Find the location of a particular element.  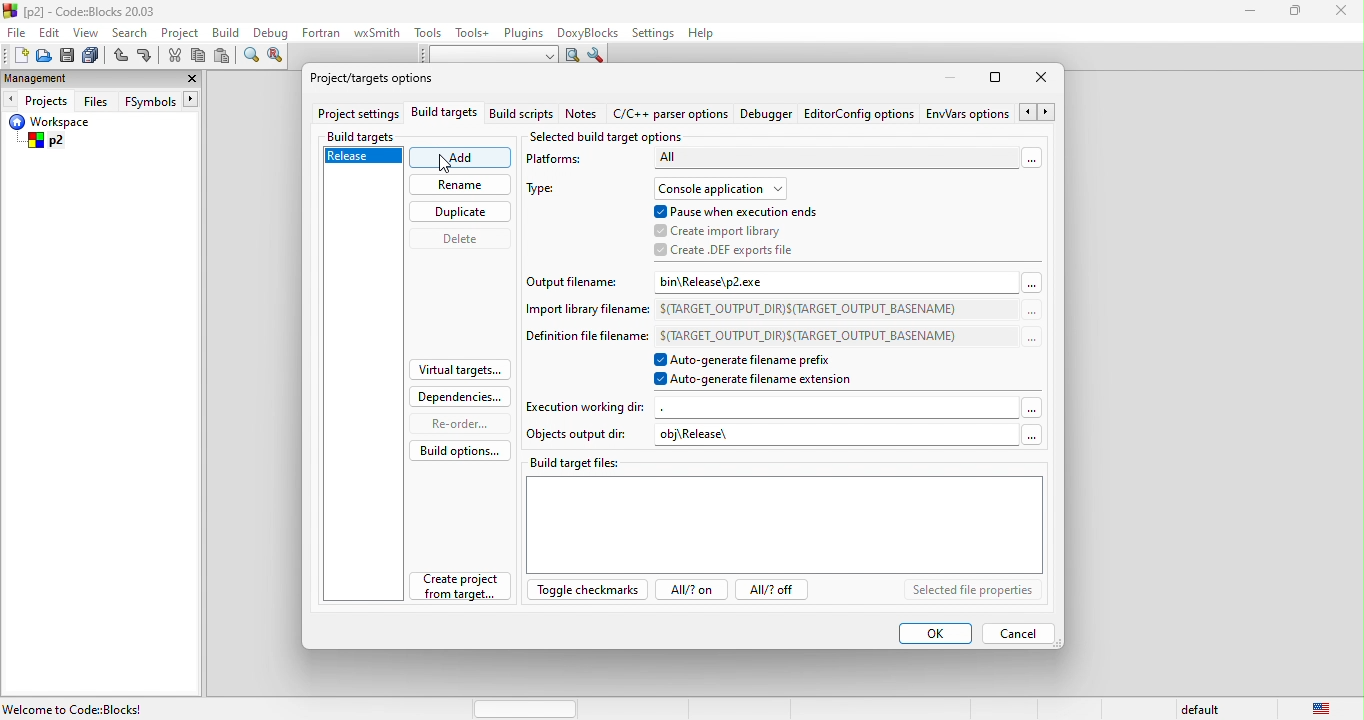

editor config option is located at coordinates (862, 112).